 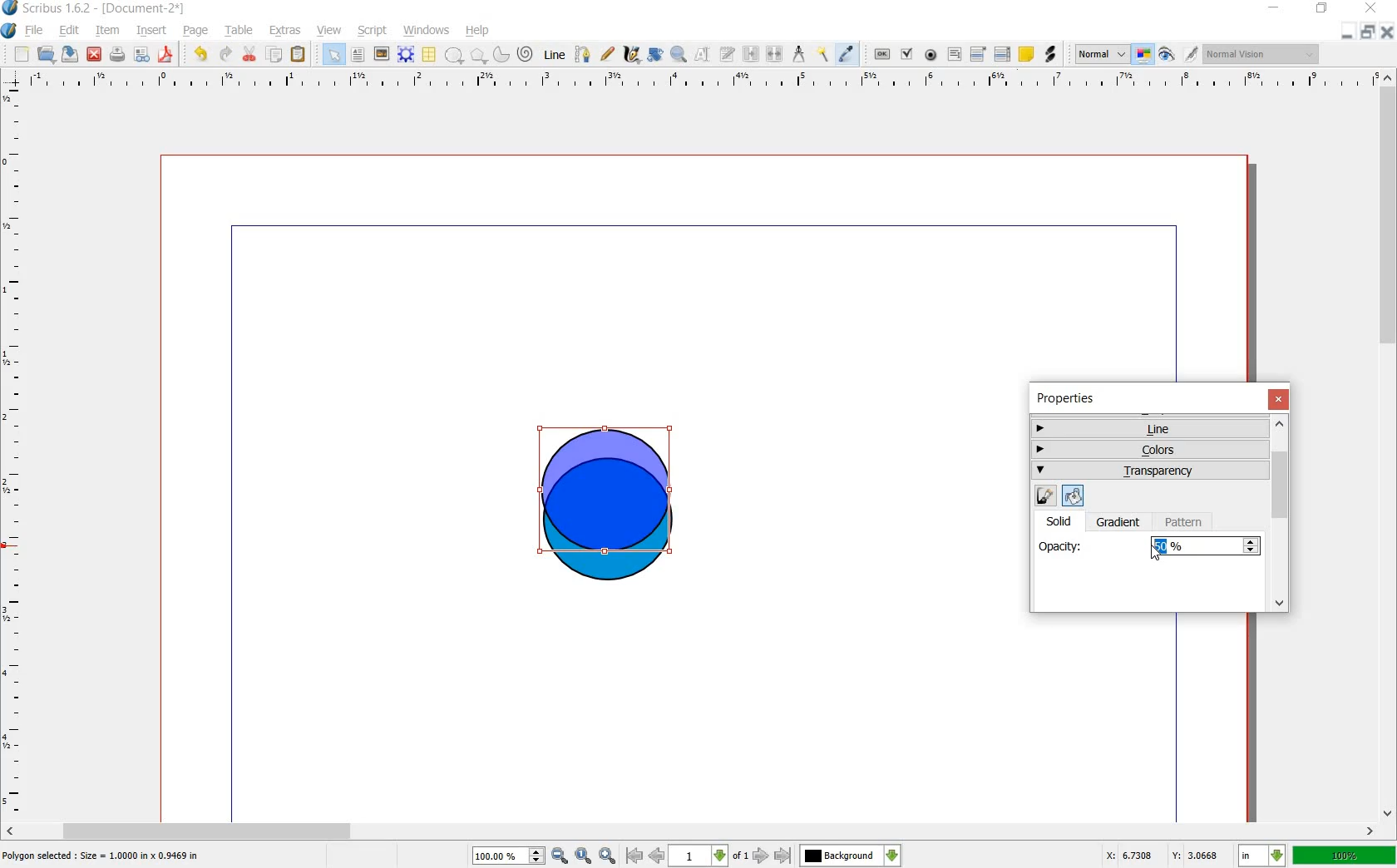 What do you see at coordinates (1143, 54) in the screenshot?
I see `toggle color management system` at bounding box center [1143, 54].